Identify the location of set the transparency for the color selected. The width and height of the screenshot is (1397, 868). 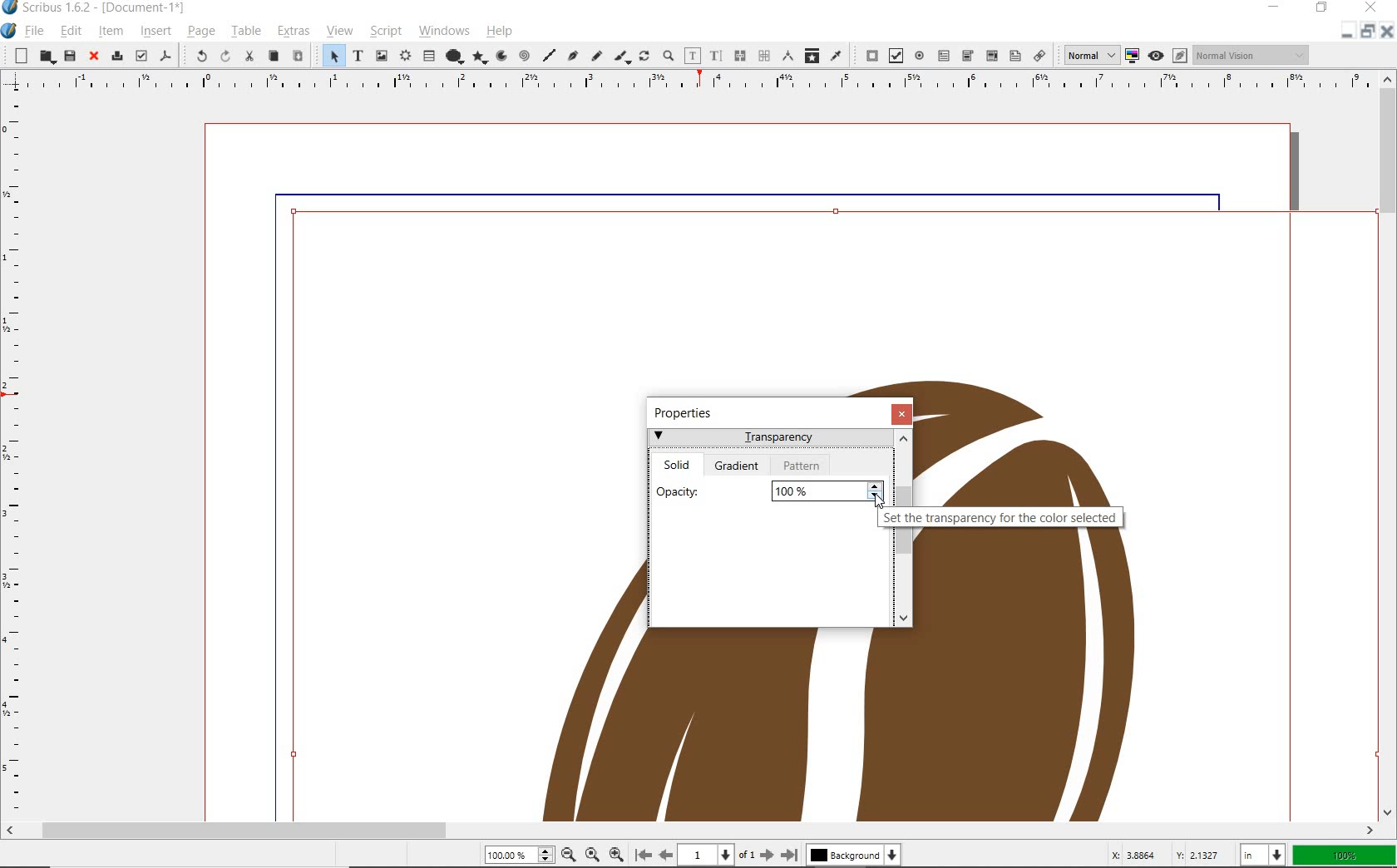
(1003, 519).